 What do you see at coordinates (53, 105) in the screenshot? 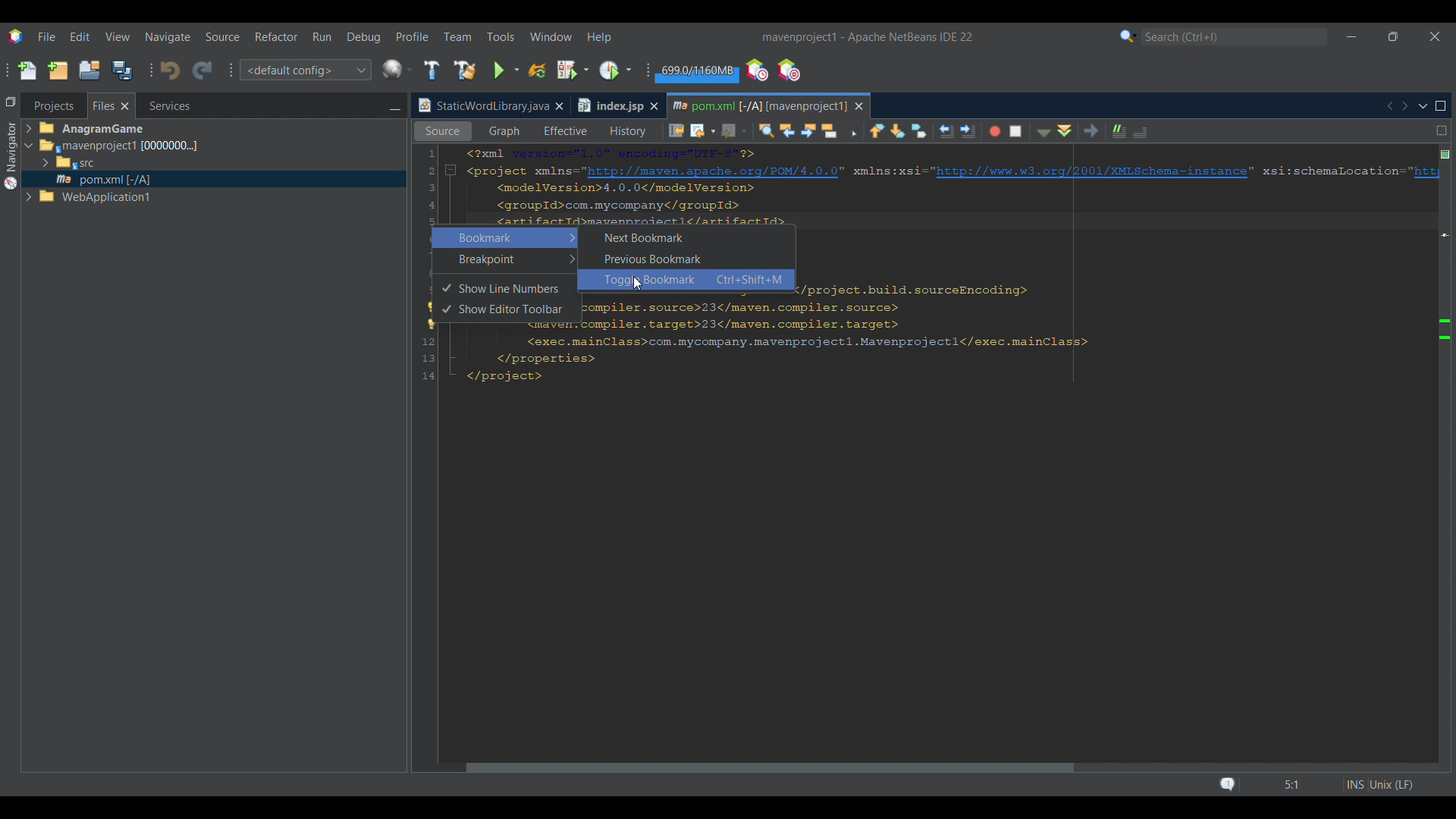
I see `Projects tab` at bounding box center [53, 105].